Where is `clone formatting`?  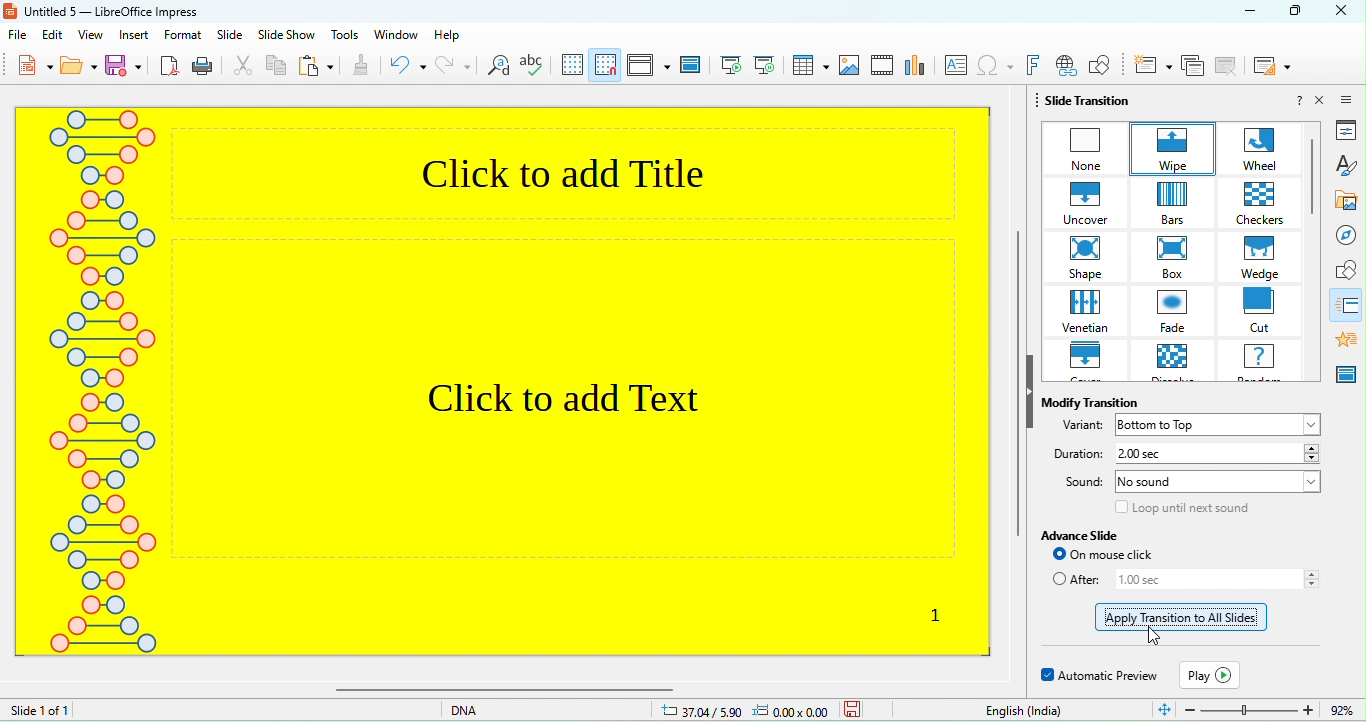
clone formatting is located at coordinates (363, 68).